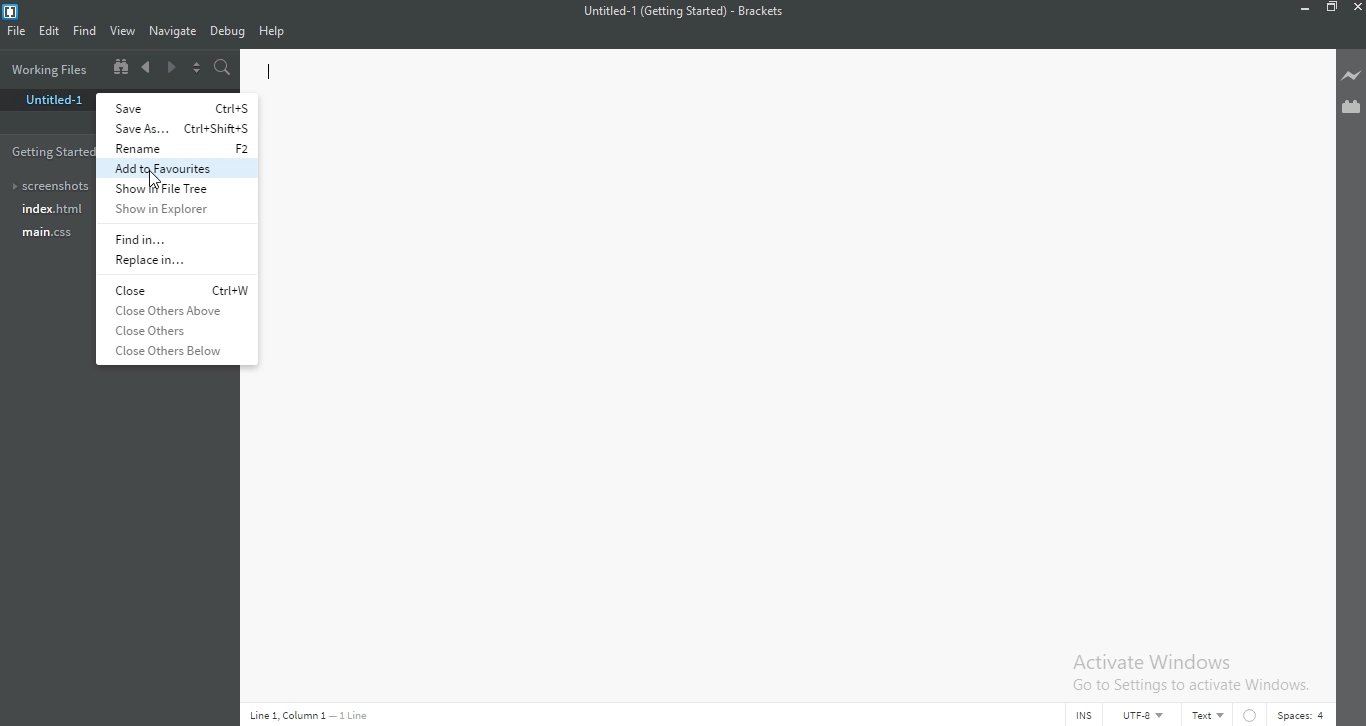 This screenshot has height=726, width=1366. What do you see at coordinates (124, 32) in the screenshot?
I see `View` at bounding box center [124, 32].